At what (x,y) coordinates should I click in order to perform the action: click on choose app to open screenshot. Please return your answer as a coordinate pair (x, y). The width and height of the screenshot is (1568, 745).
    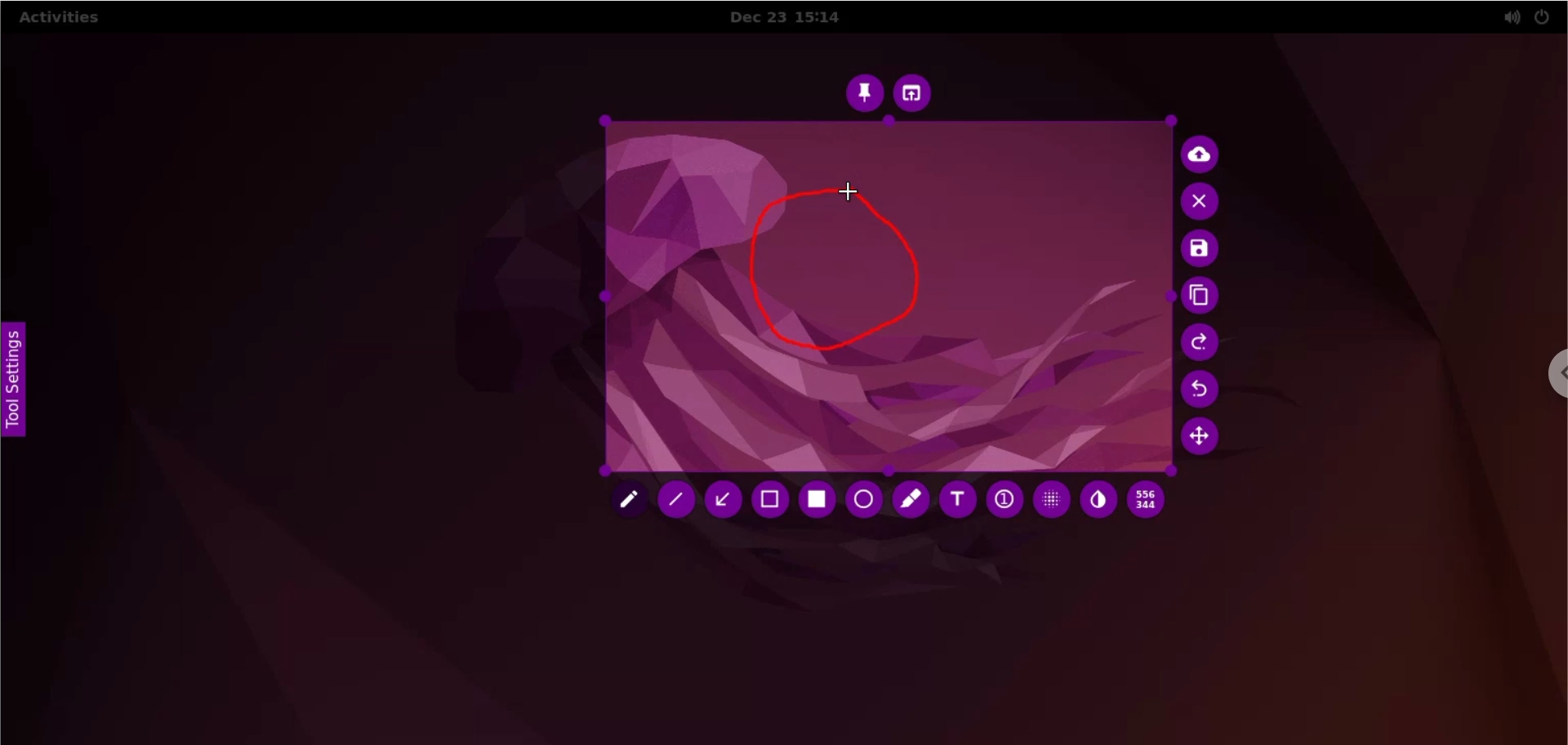
    Looking at the image, I should click on (920, 93).